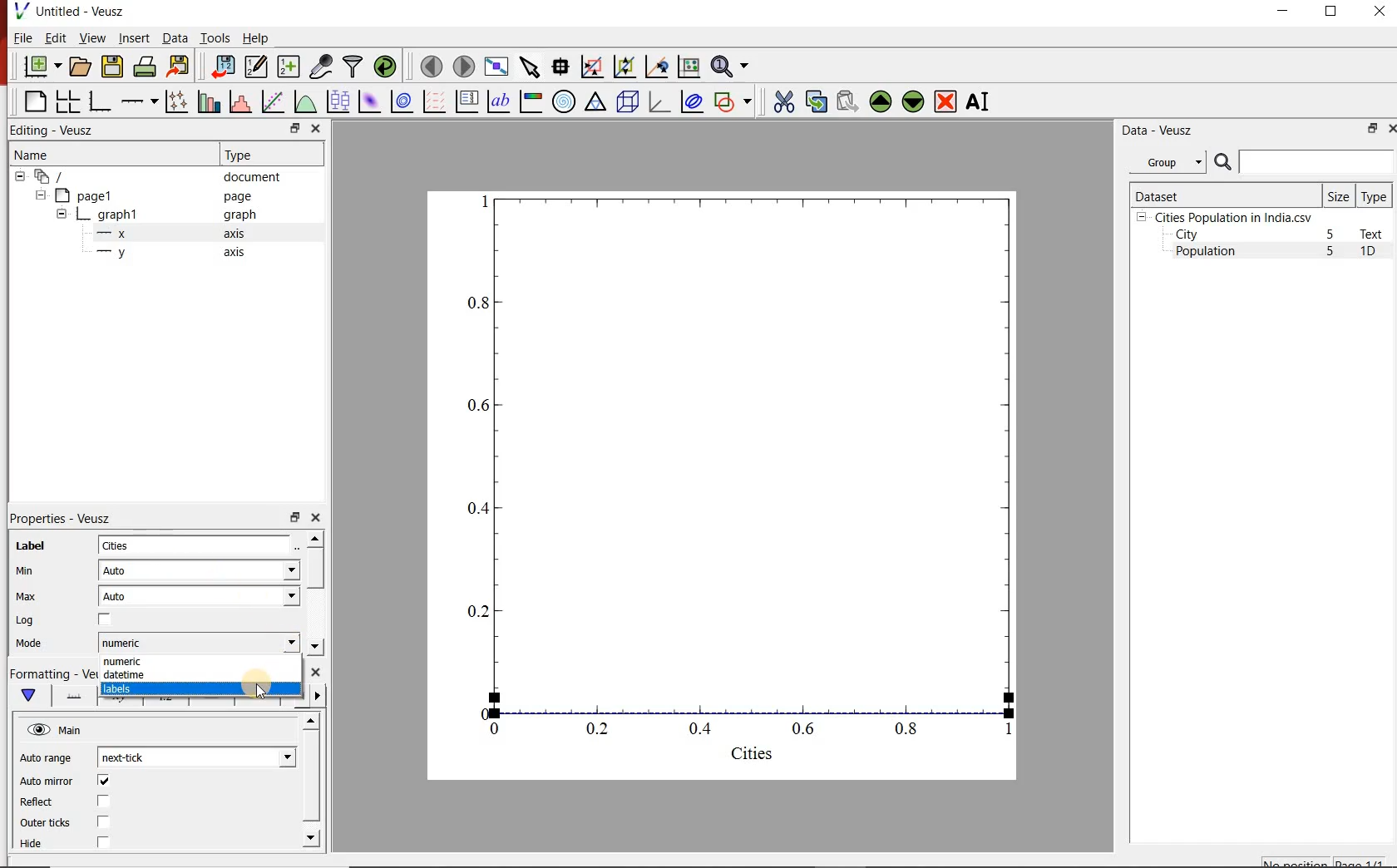 This screenshot has height=868, width=1397. Describe the element at coordinates (175, 39) in the screenshot. I see `Data` at that location.